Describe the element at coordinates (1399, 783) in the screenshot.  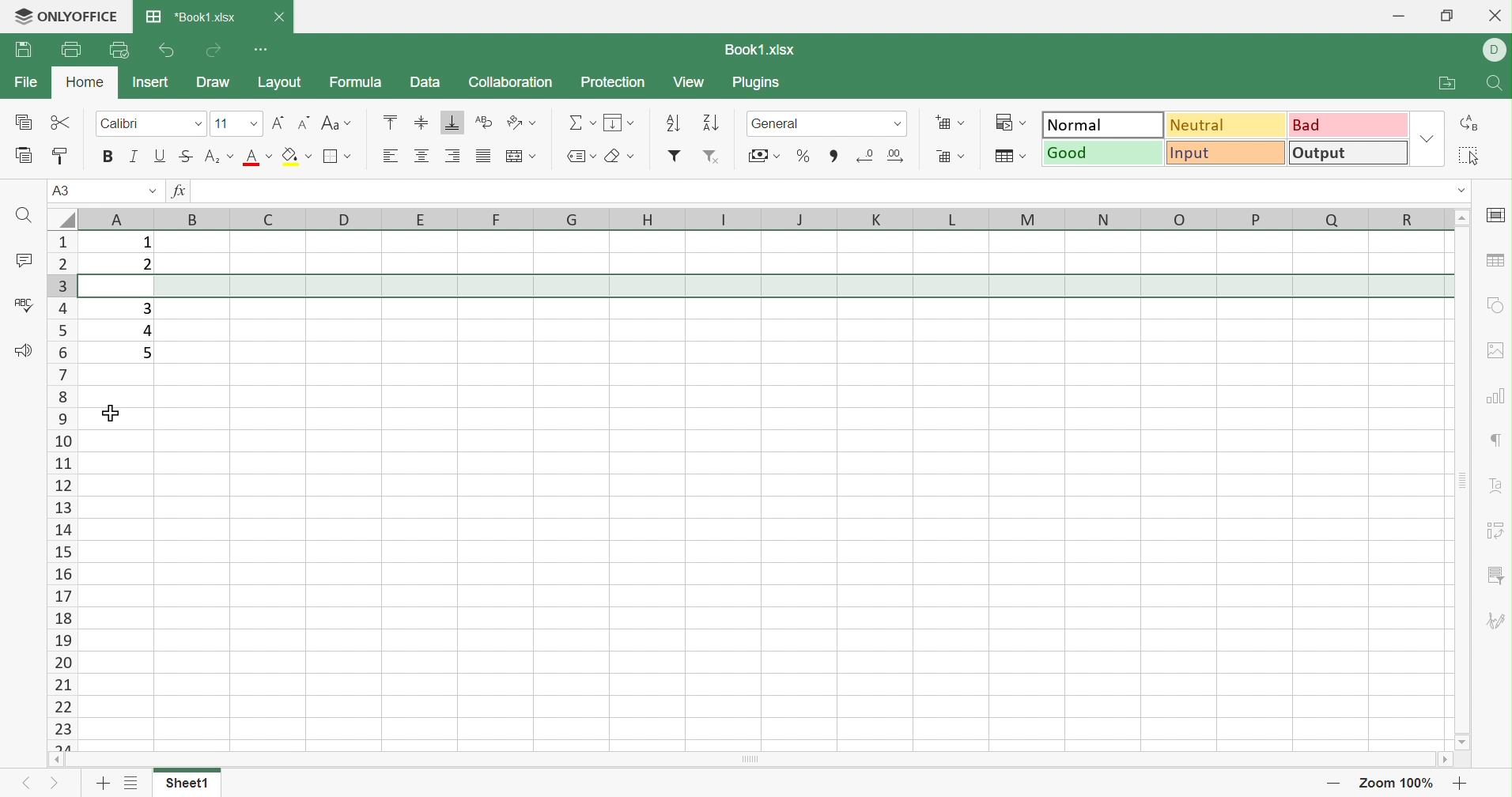
I see `Zoom 100%` at that location.